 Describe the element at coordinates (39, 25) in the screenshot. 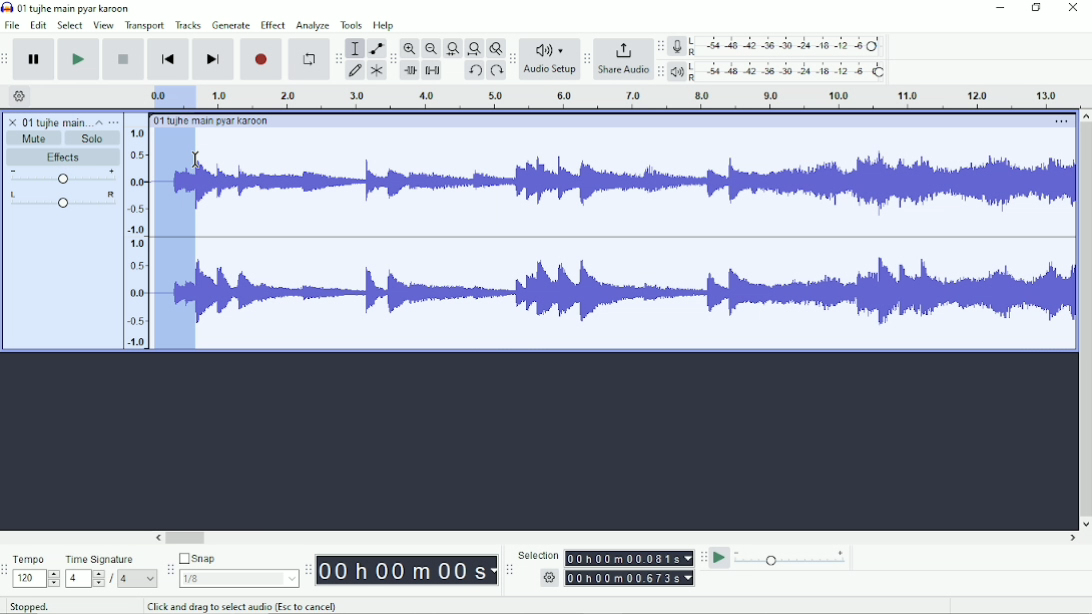

I see `Edit` at that location.